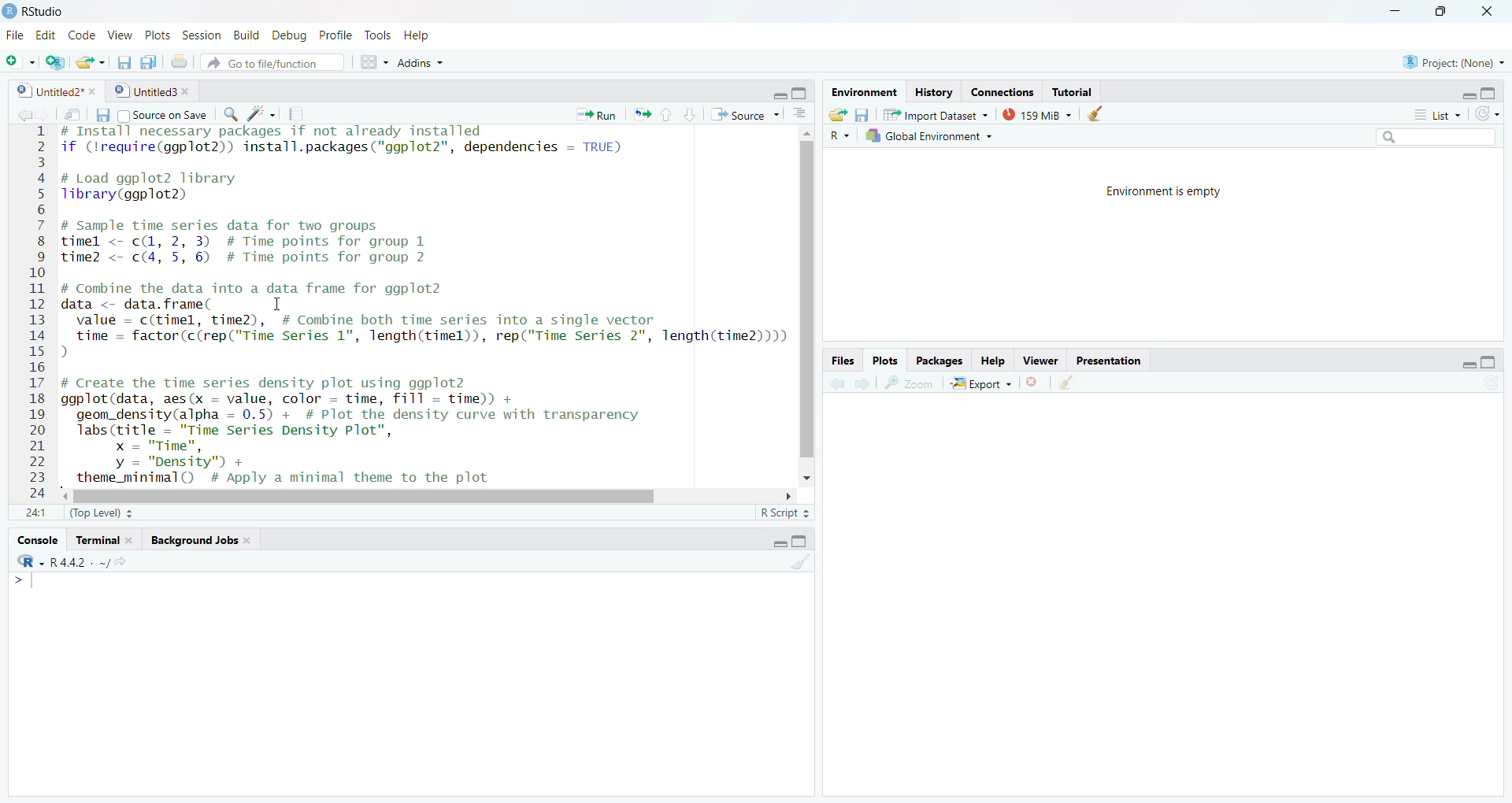 Image resolution: width=1512 pixels, height=803 pixels. I want to click on File, so click(15, 35).